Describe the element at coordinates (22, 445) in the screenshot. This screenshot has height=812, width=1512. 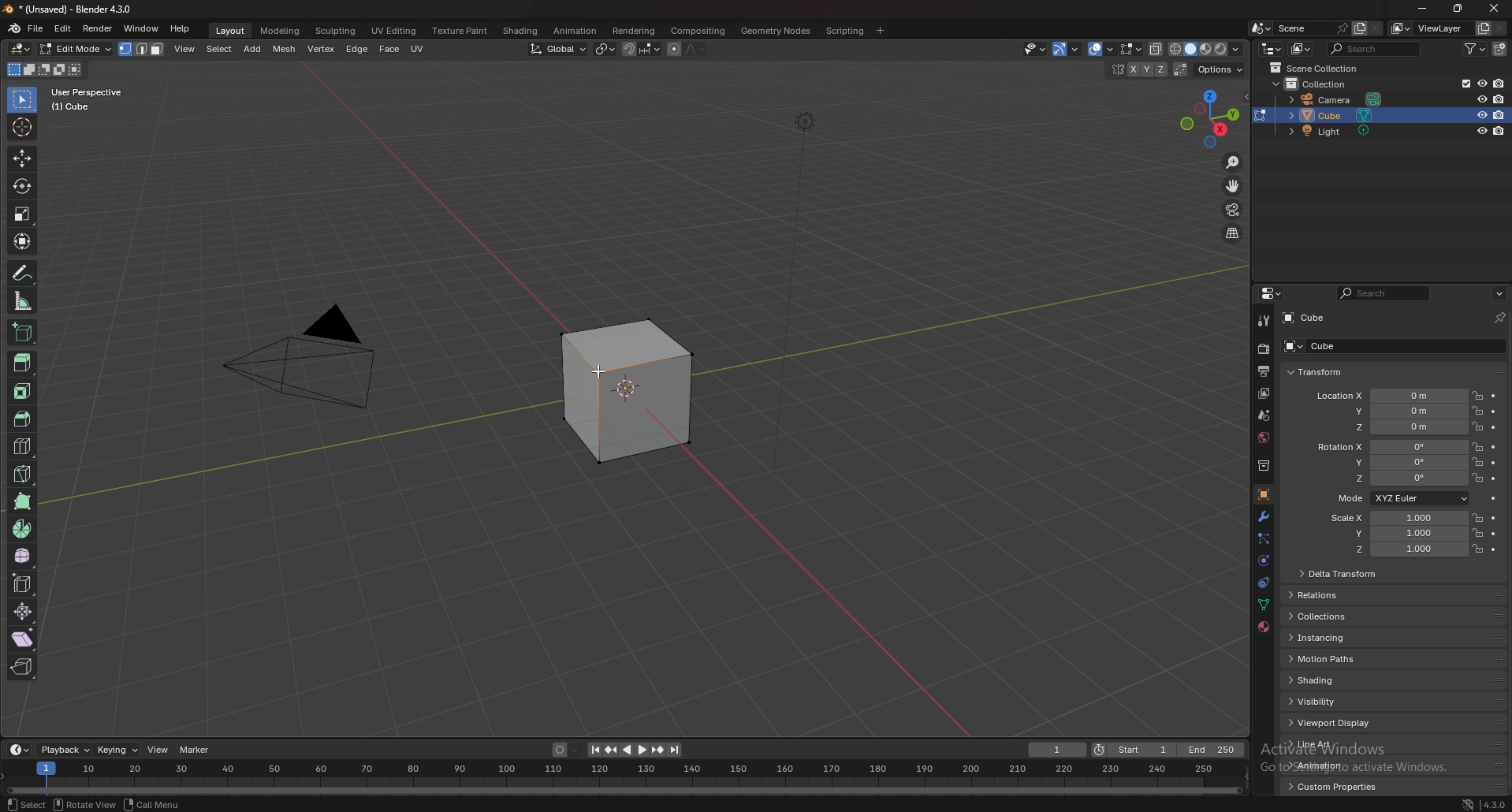
I see `cut` at that location.